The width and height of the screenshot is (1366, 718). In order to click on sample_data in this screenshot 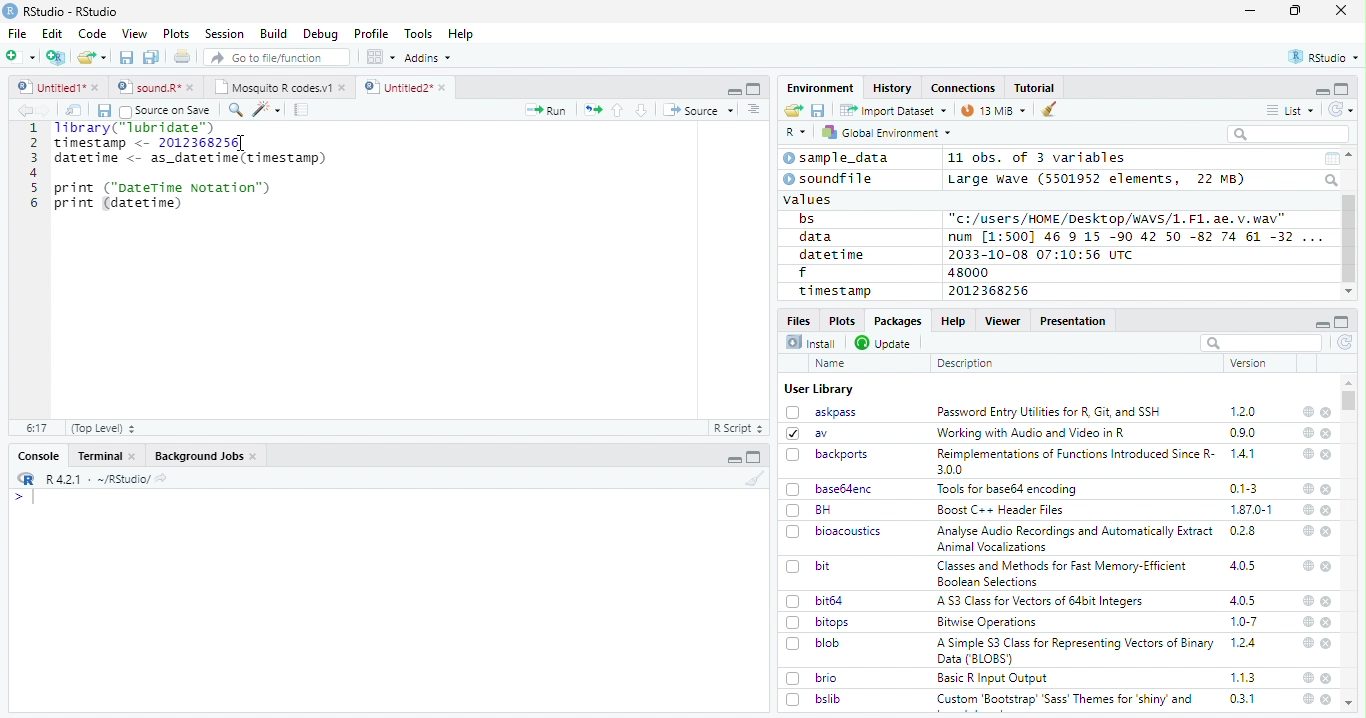, I will do `click(839, 158)`.